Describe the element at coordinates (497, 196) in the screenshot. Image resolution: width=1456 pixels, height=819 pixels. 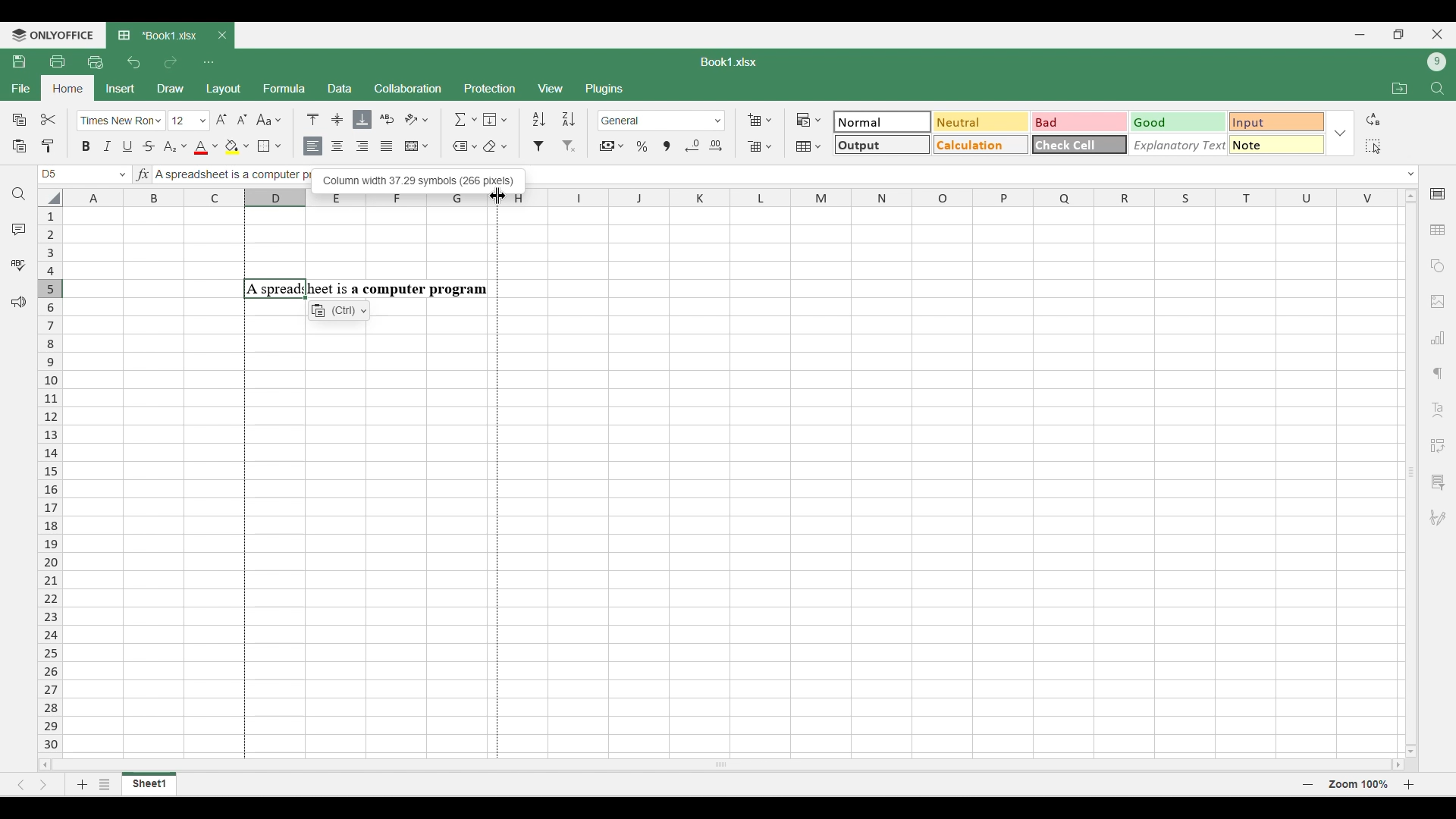
I see `Cursor position unchanged after dragging line` at that location.